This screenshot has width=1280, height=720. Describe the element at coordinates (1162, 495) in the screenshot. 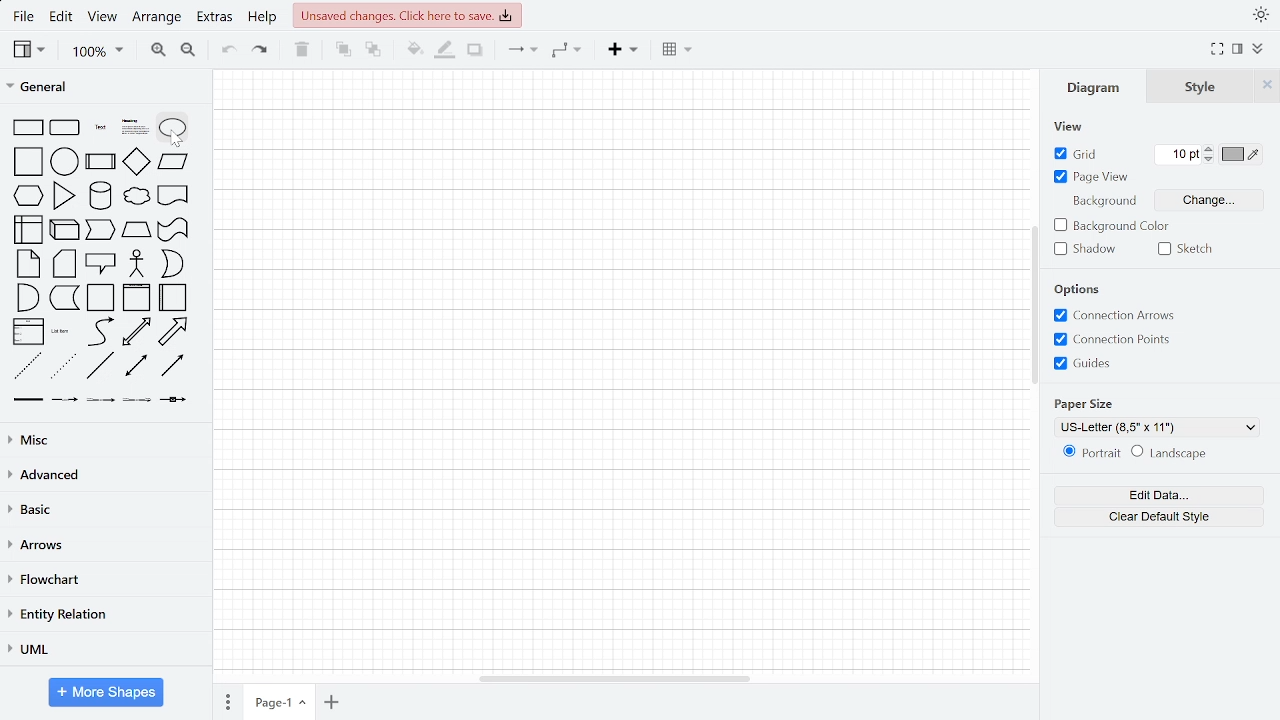

I see `edit data` at that location.